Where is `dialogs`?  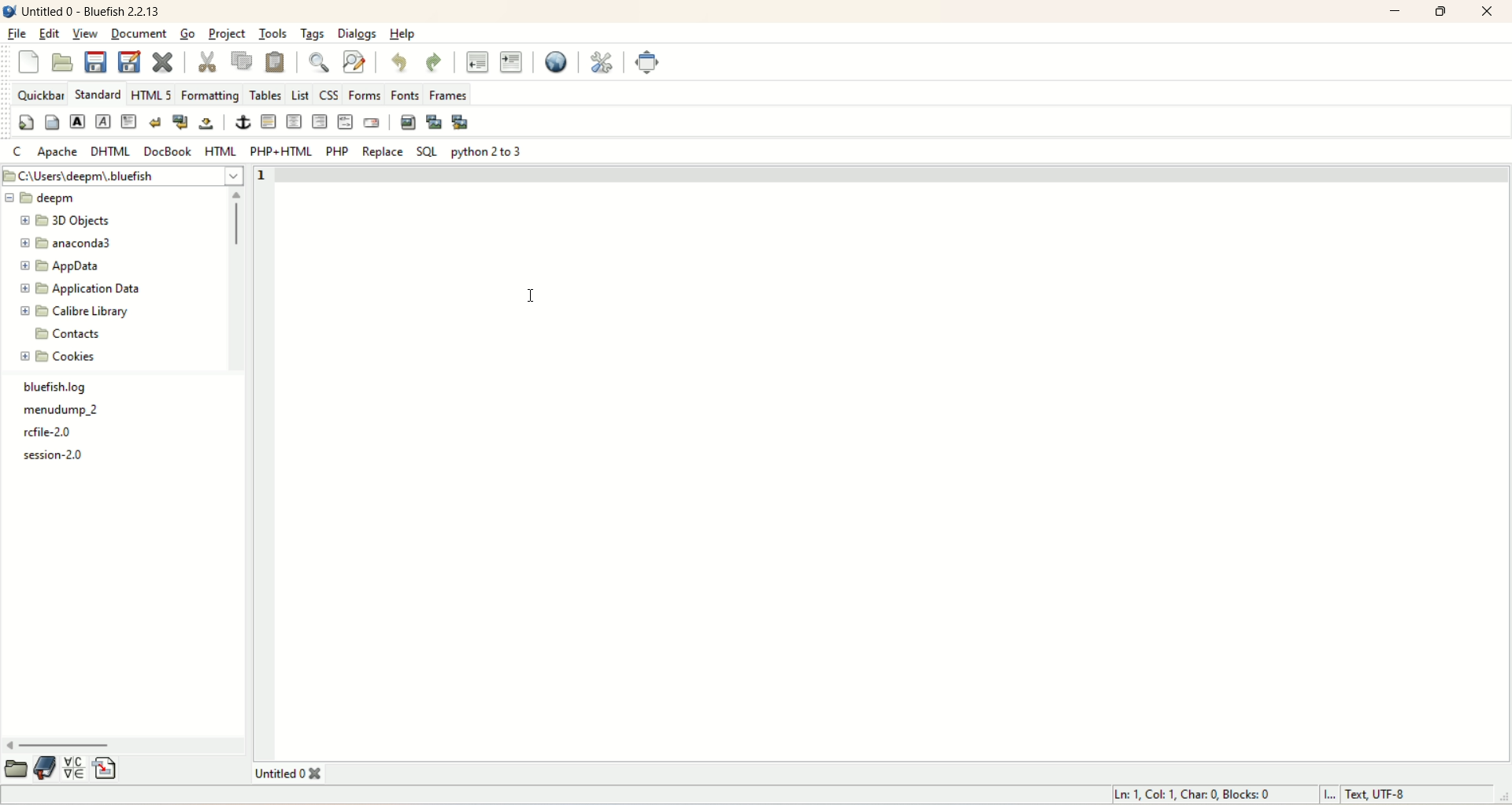 dialogs is located at coordinates (354, 33).